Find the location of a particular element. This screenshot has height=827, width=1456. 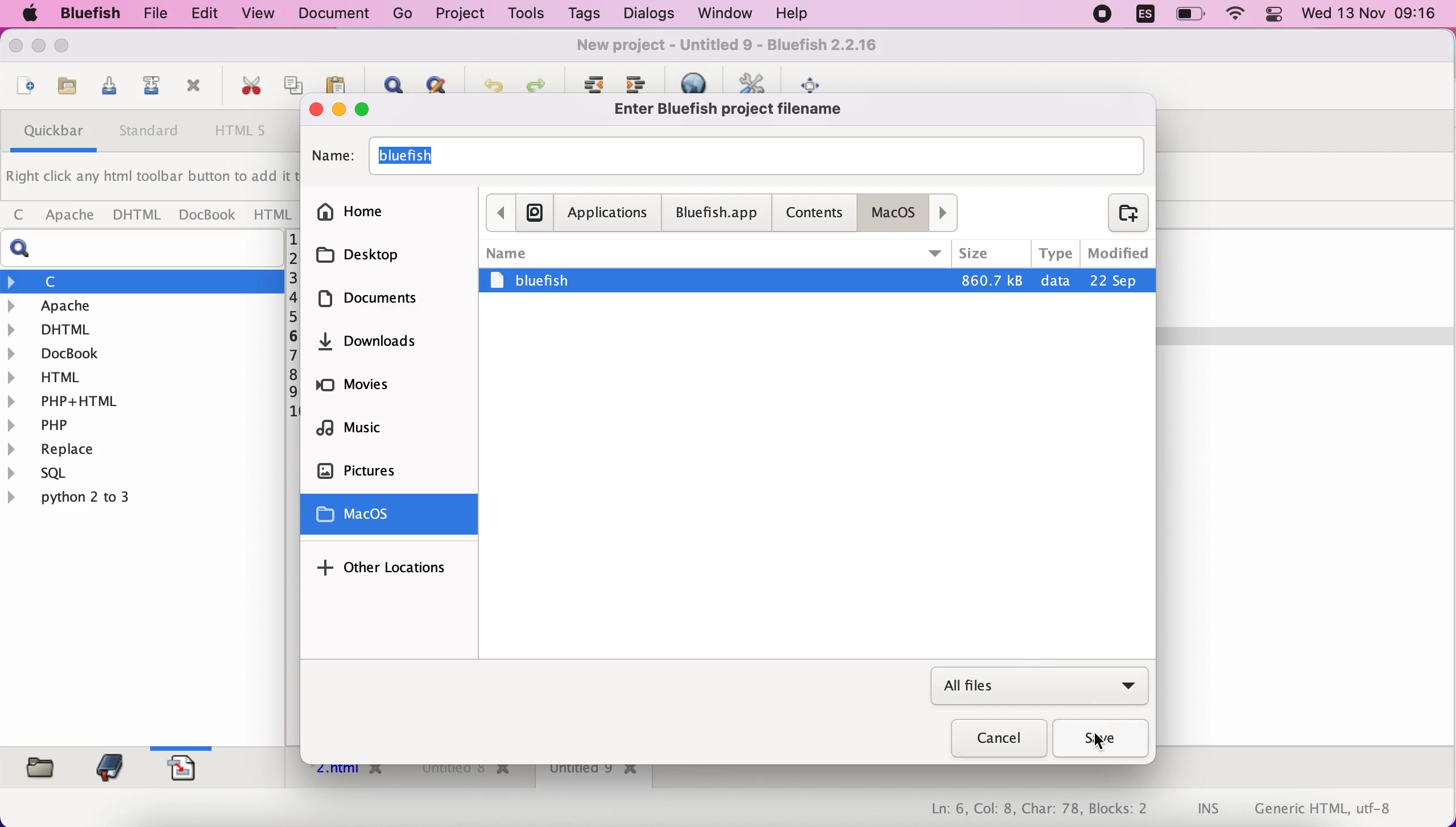

battery is located at coordinates (1192, 15).